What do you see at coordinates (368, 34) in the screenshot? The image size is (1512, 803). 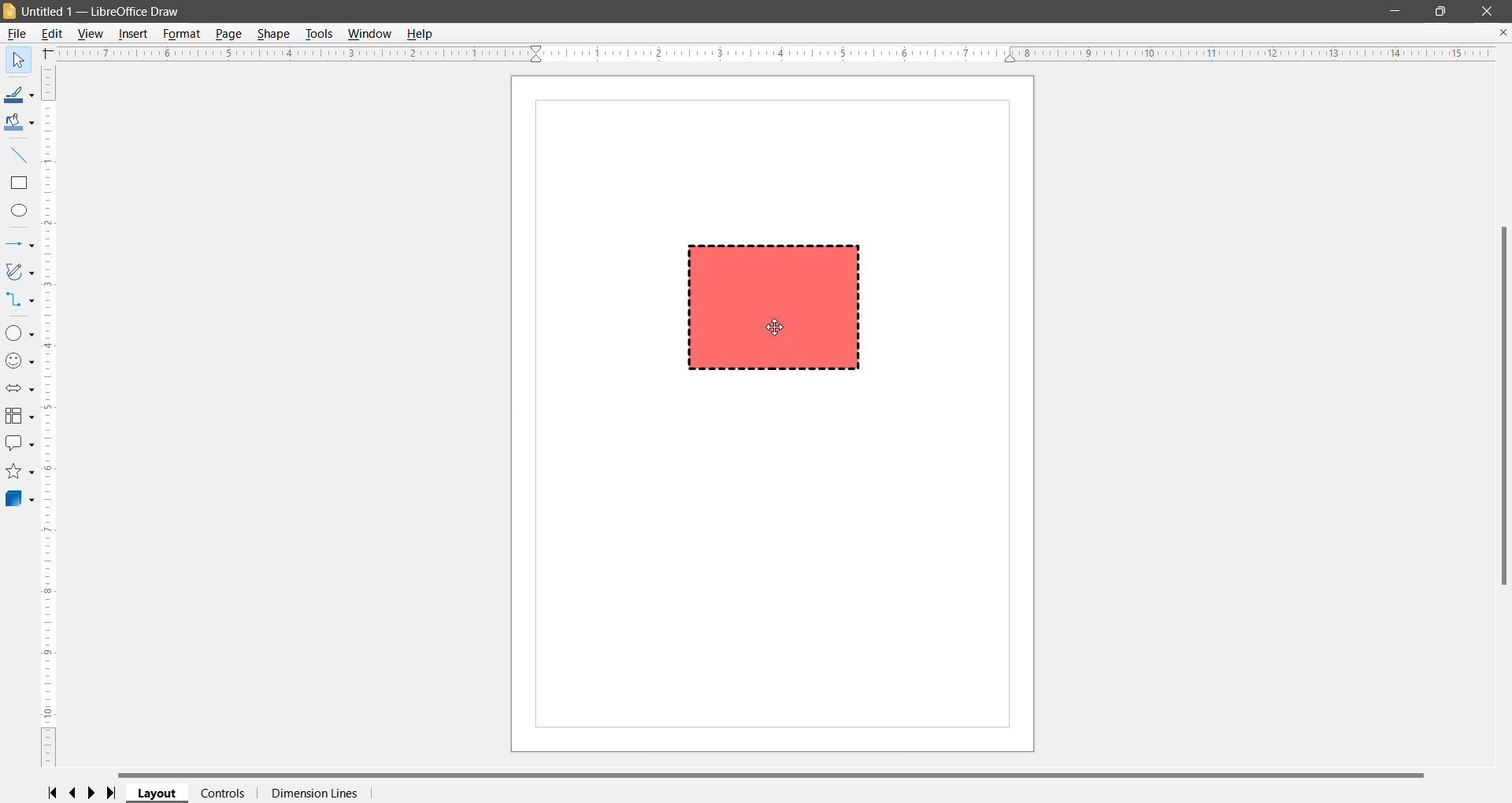 I see `Window` at bounding box center [368, 34].